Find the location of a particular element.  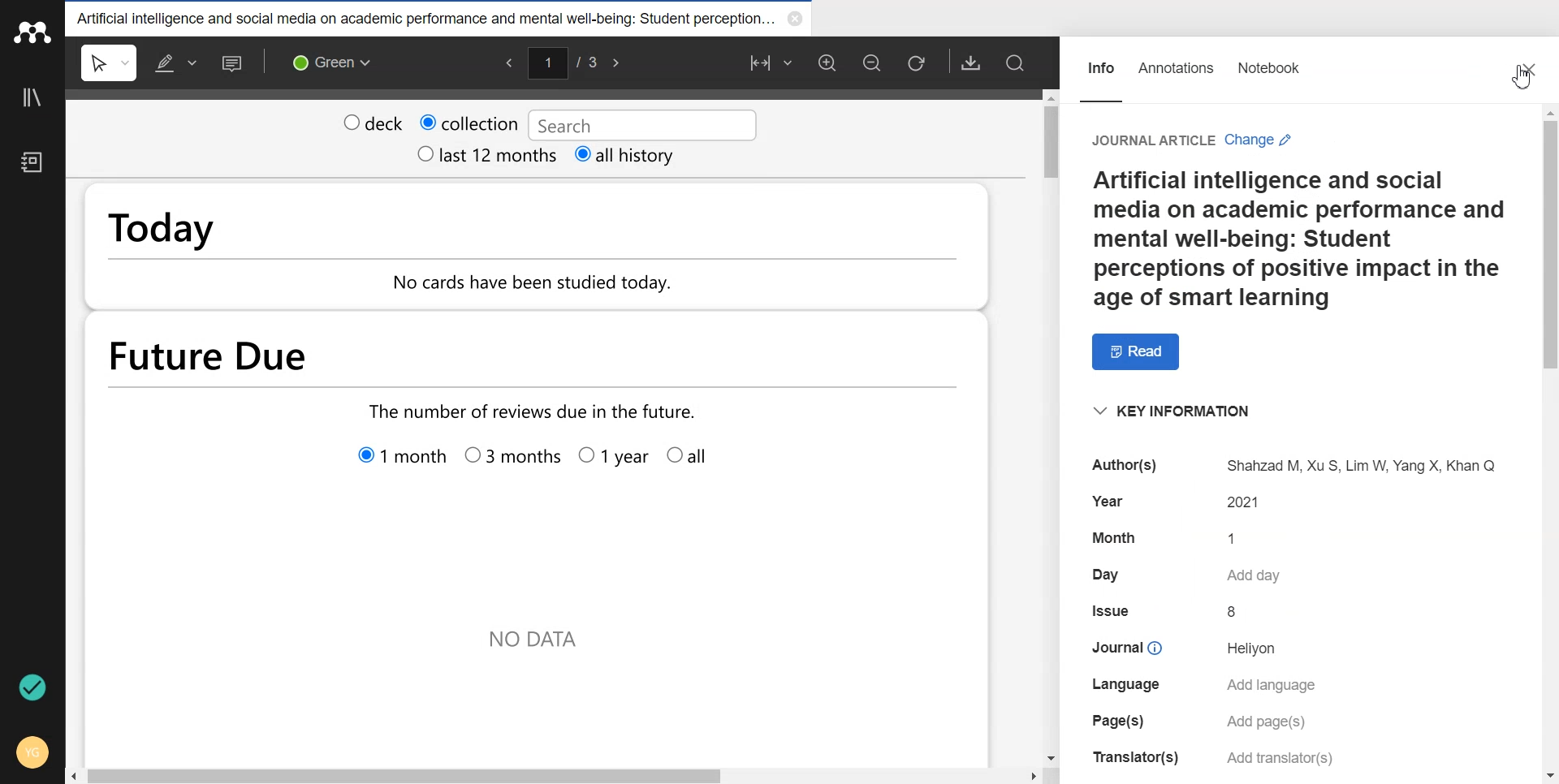

change is located at coordinates (1262, 133).